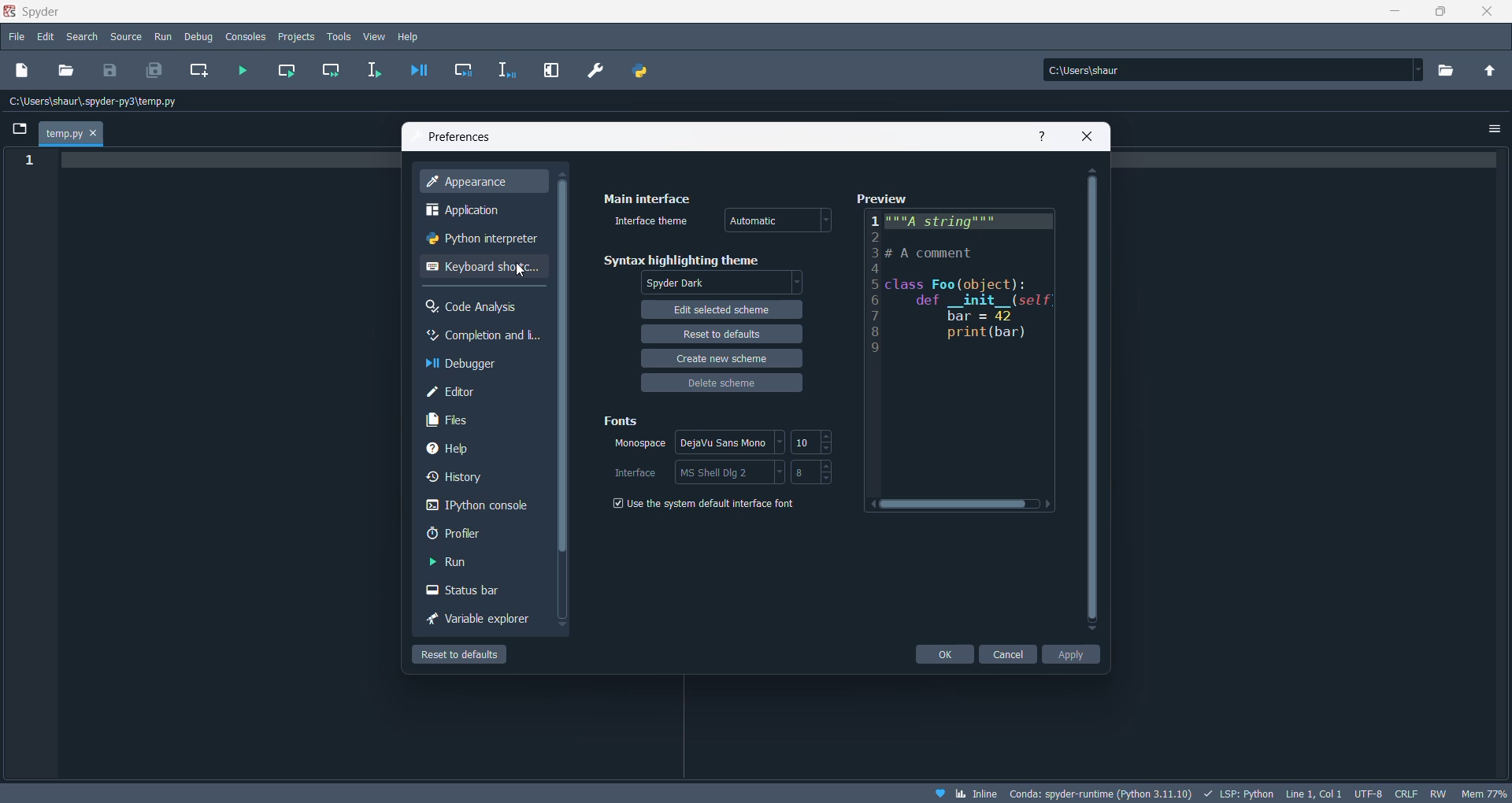 The height and width of the screenshot is (803, 1512). I want to click on close, so click(1088, 136).